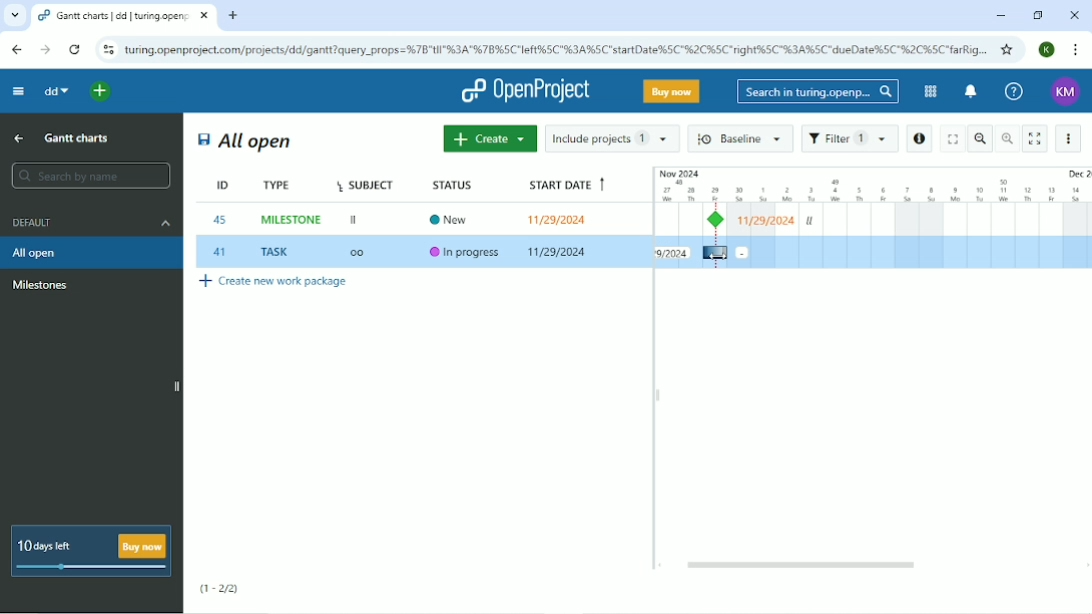  Describe the element at coordinates (18, 92) in the screenshot. I see `Collapse project menu` at that location.